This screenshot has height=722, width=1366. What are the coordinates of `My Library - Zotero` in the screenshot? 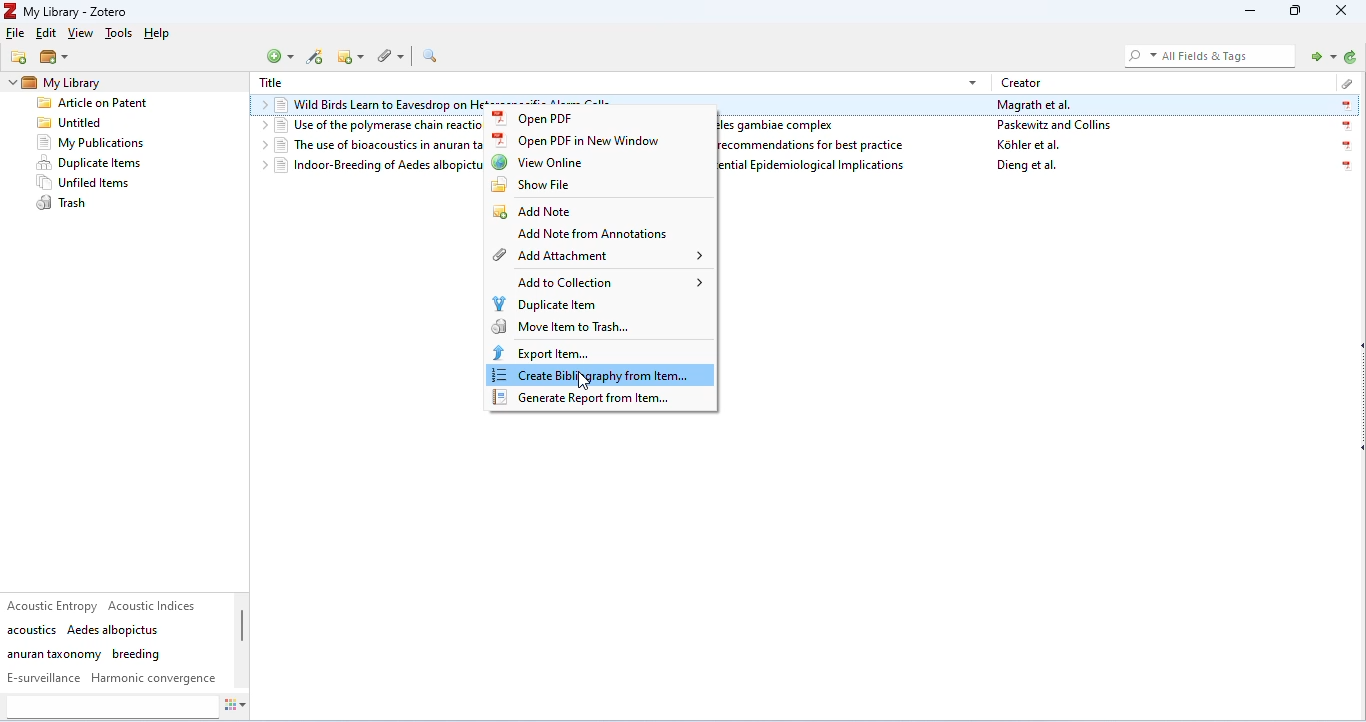 It's located at (69, 12).